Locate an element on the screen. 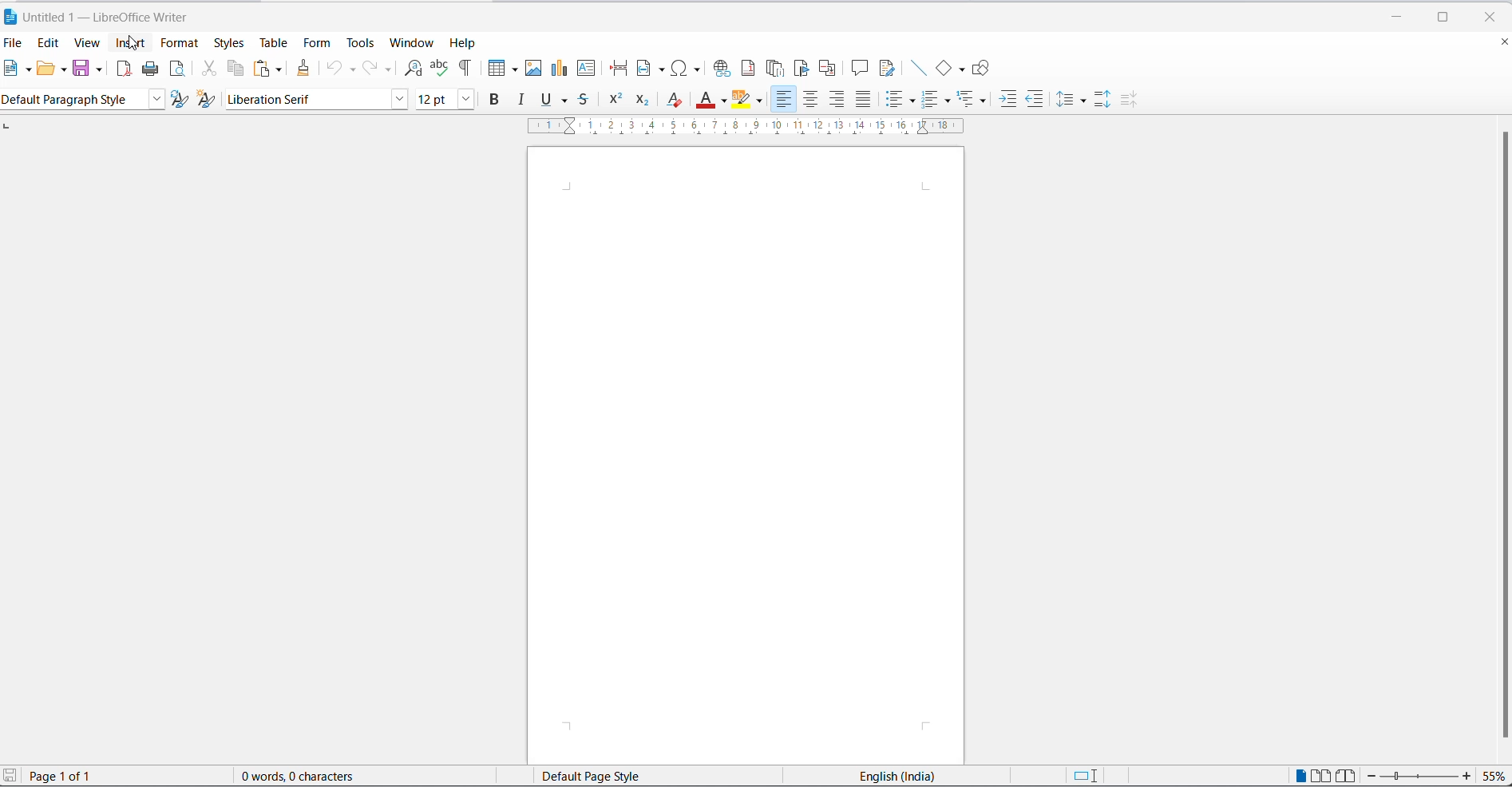 The image size is (1512, 787). increase zoom is located at coordinates (1467, 777).